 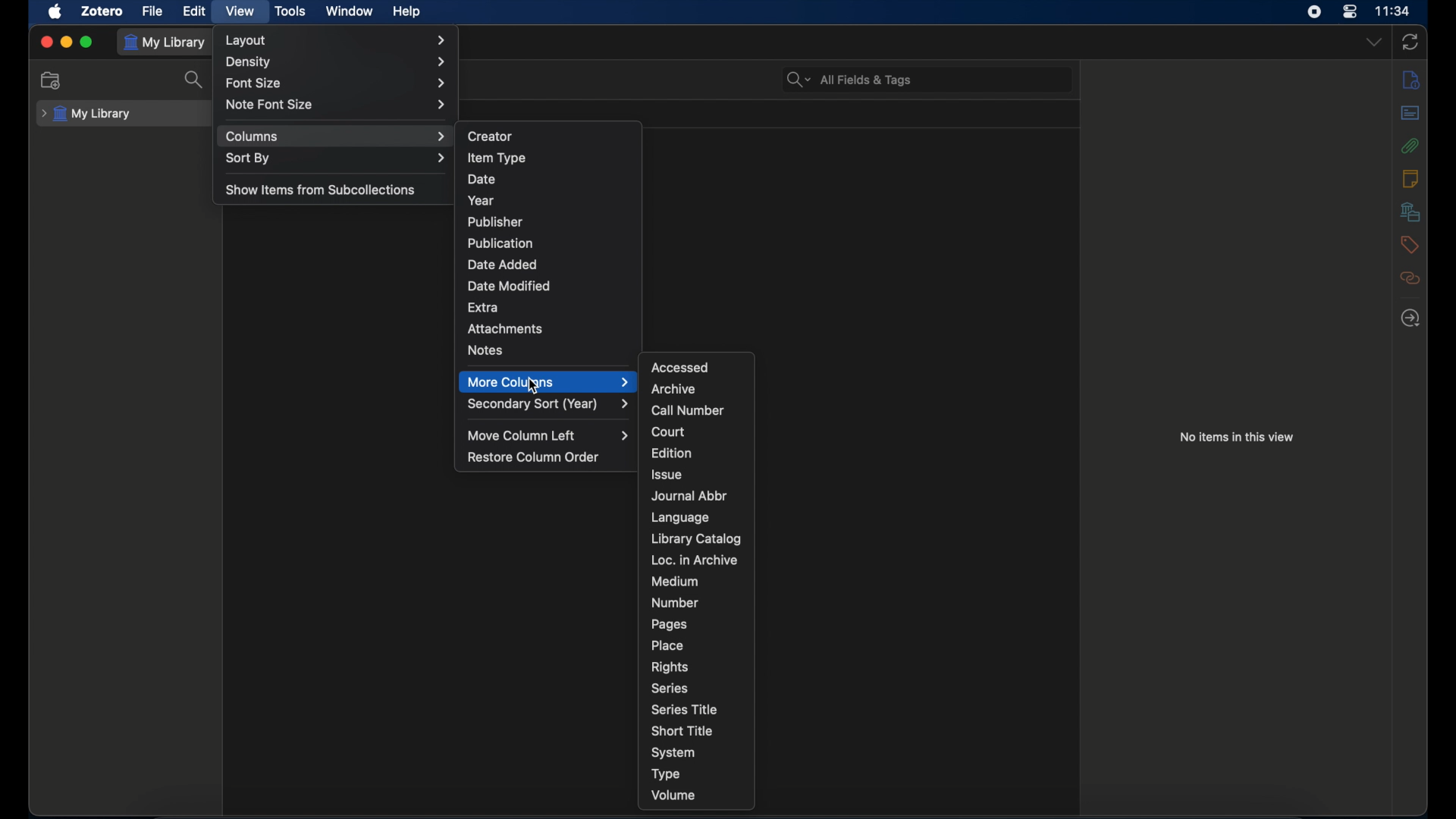 I want to click on notes, so click(x=485, y=350).